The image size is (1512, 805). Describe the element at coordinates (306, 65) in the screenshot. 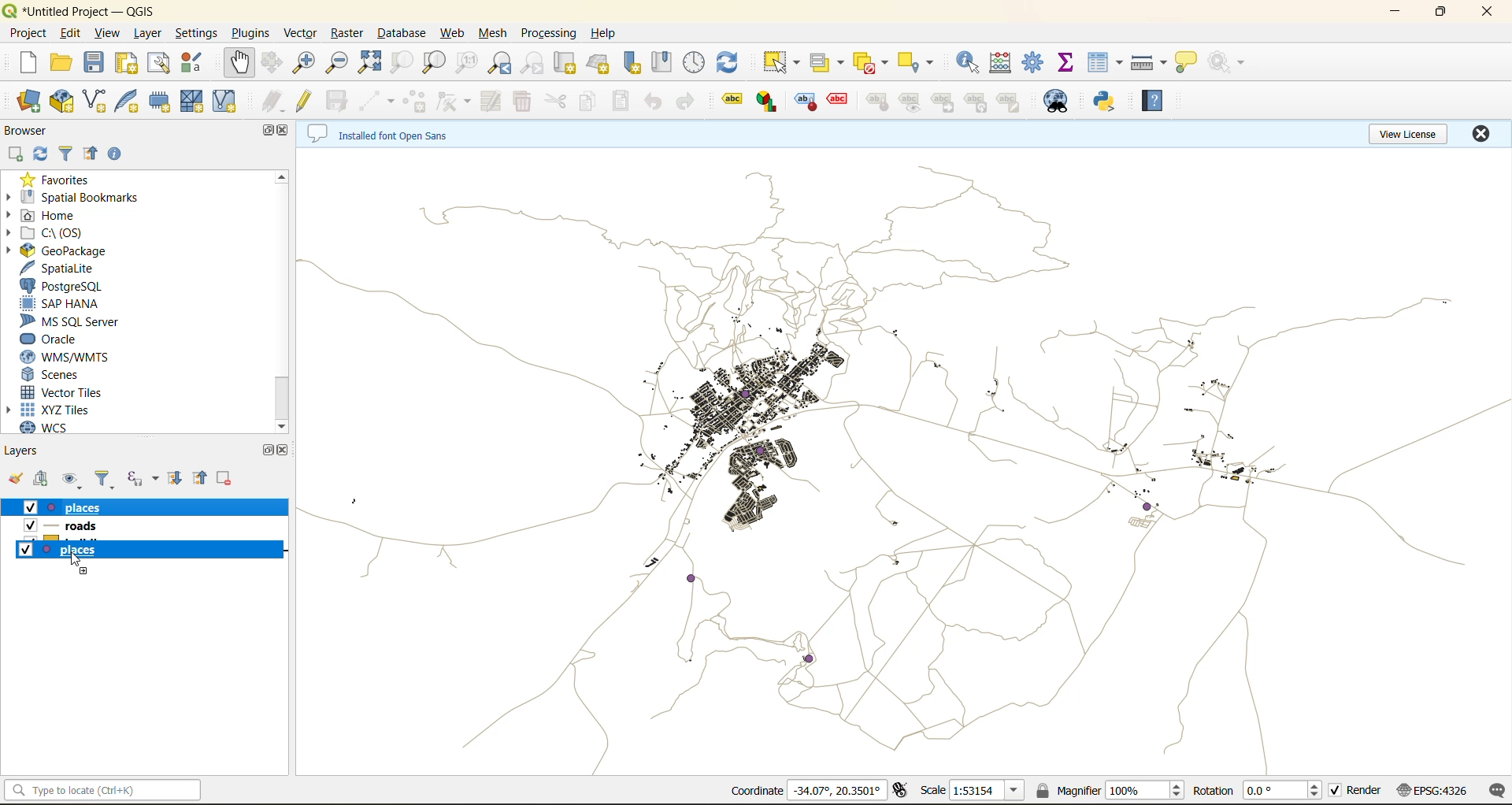

I see `zoom in` at that location.